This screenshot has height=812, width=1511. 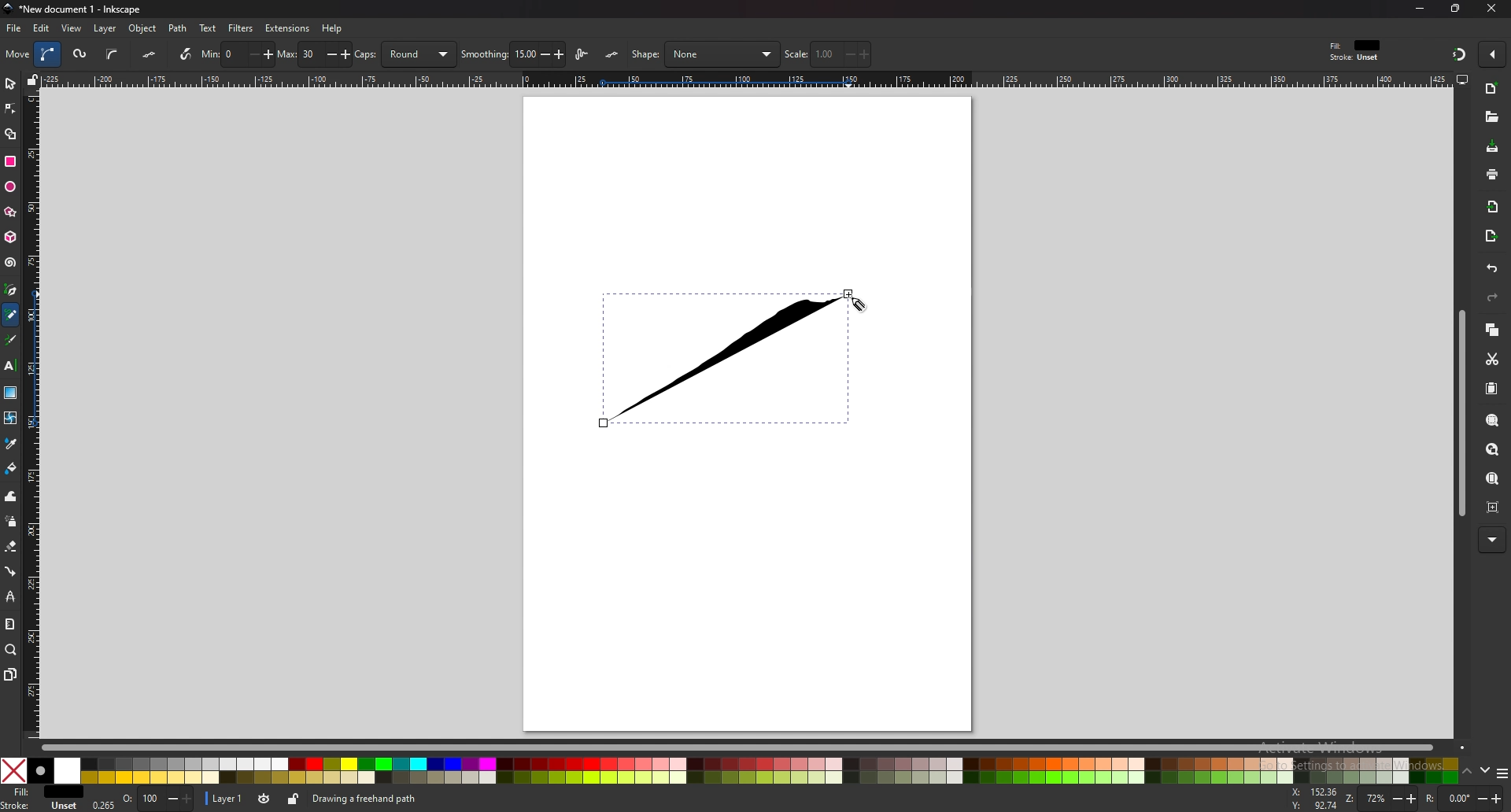 I want to click on color picker, so click(x=11, y=443).